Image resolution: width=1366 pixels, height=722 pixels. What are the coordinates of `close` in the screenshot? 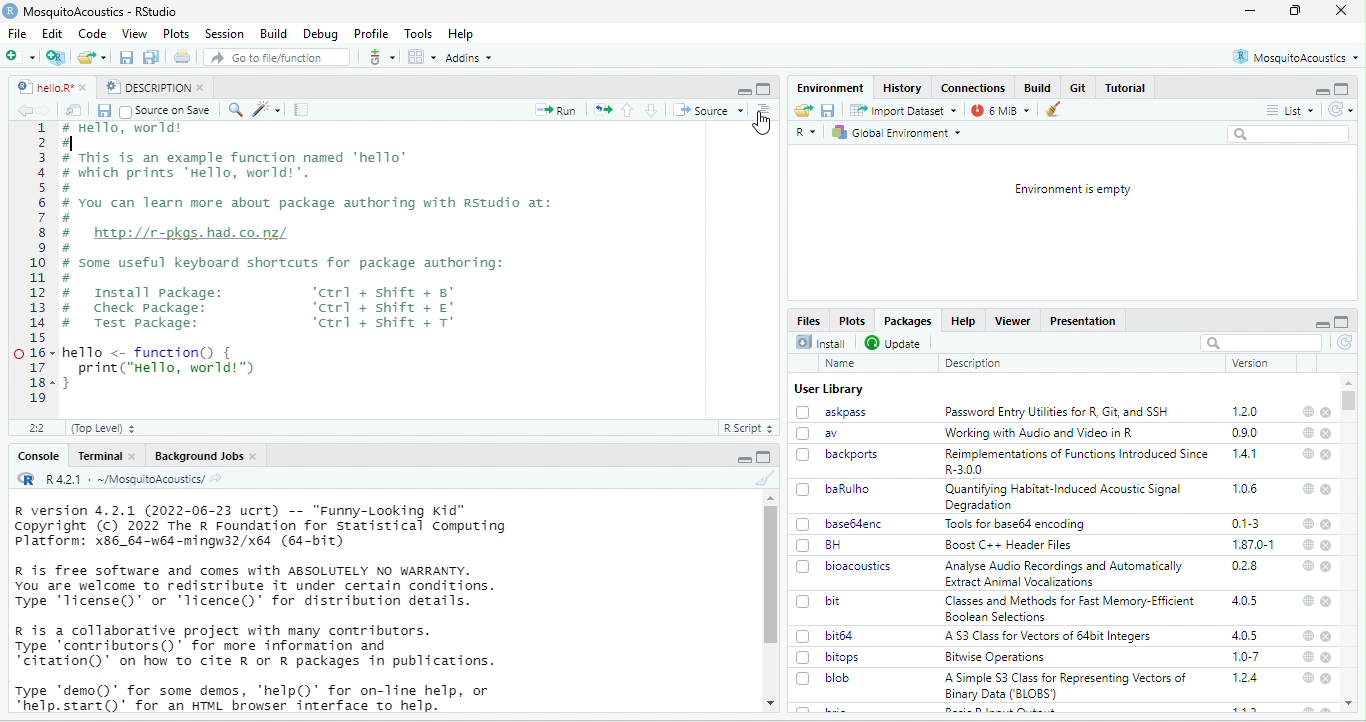 It's located at (1328, 490).